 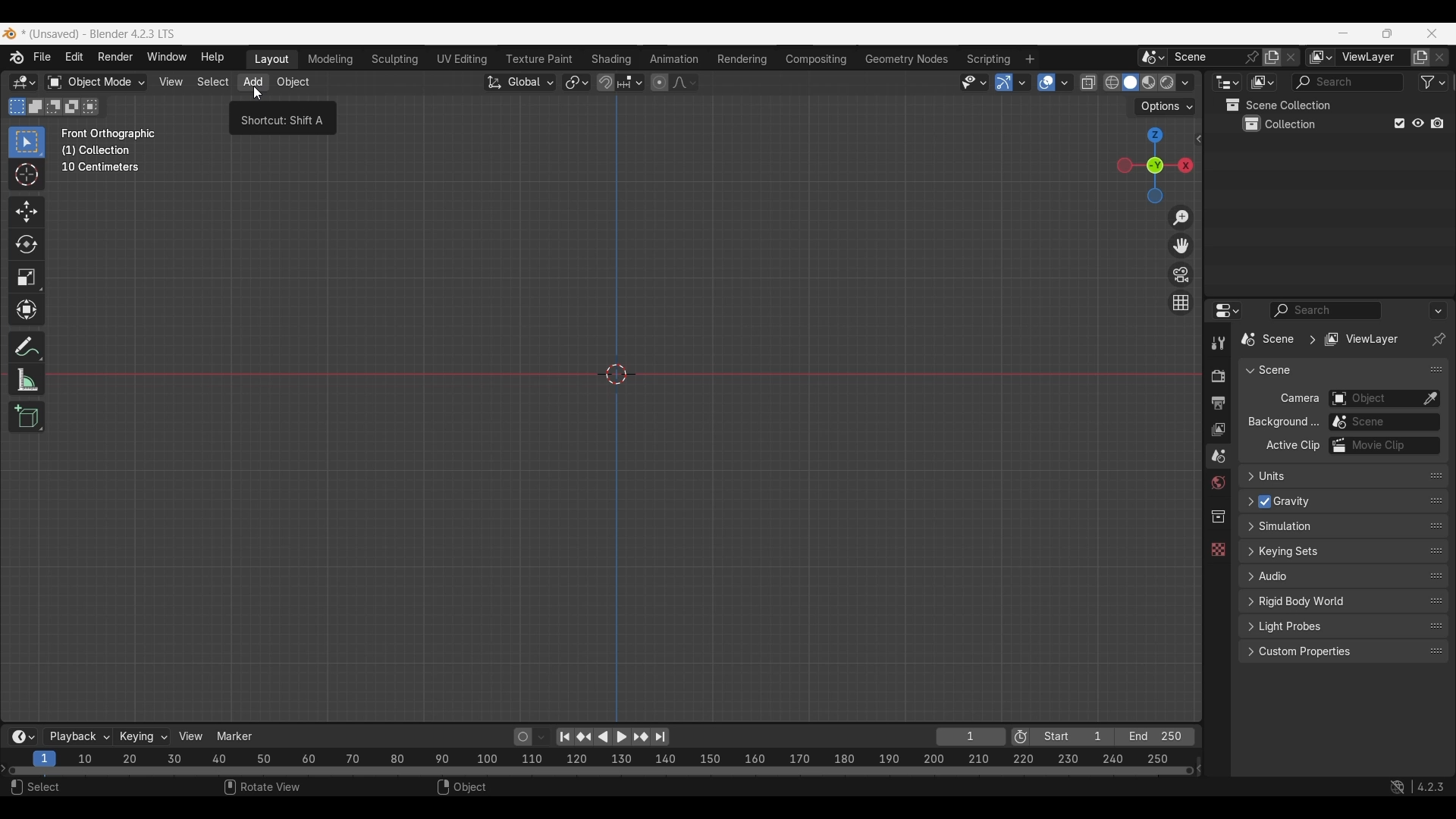 What do you see at coordinates (1200, 767) in the screenshot?
I see `Decrease frames space` at bounding box center [1200, 767].